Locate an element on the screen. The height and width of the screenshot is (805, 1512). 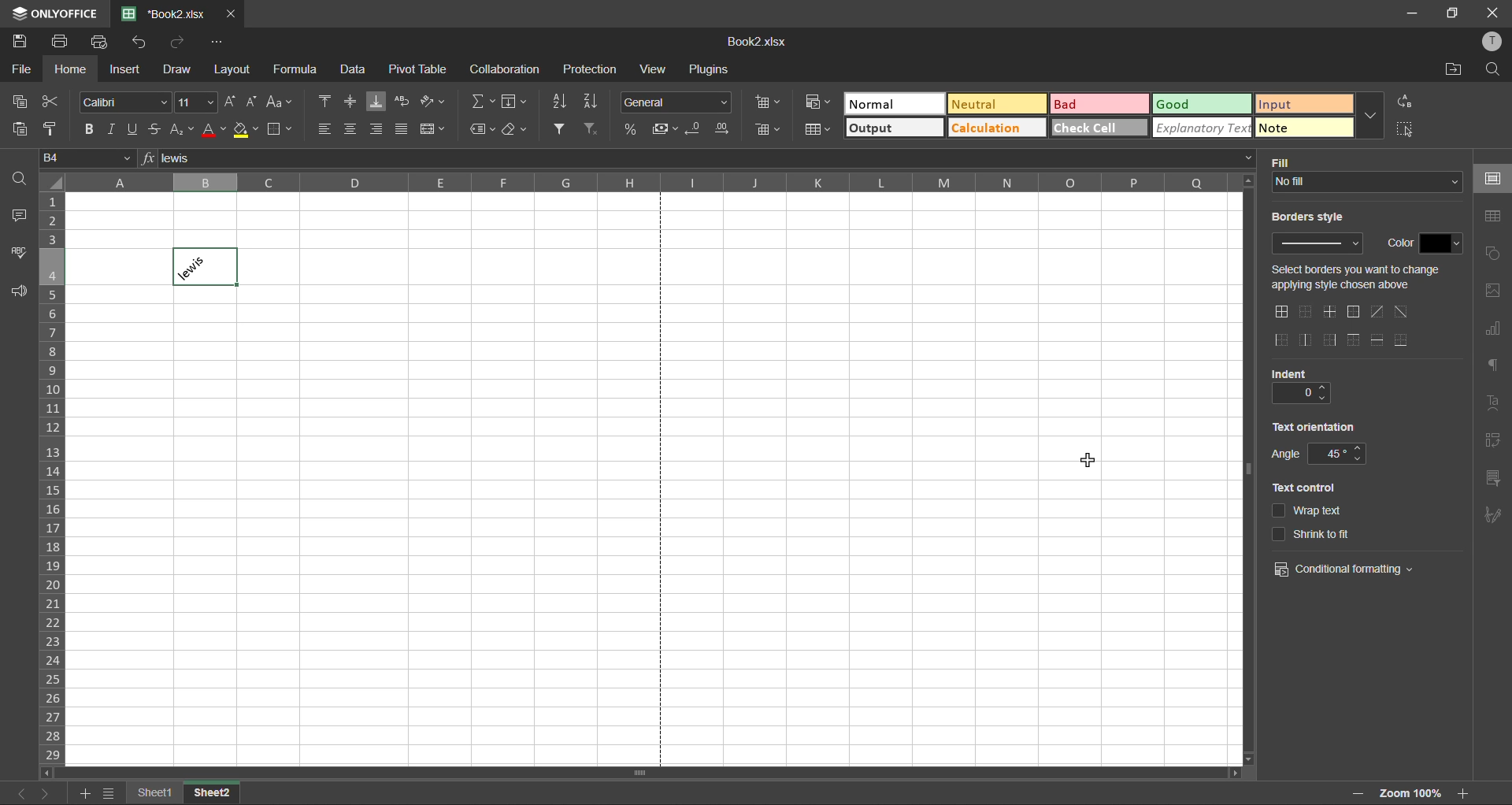
select change is located at coordinates (1361, 277).